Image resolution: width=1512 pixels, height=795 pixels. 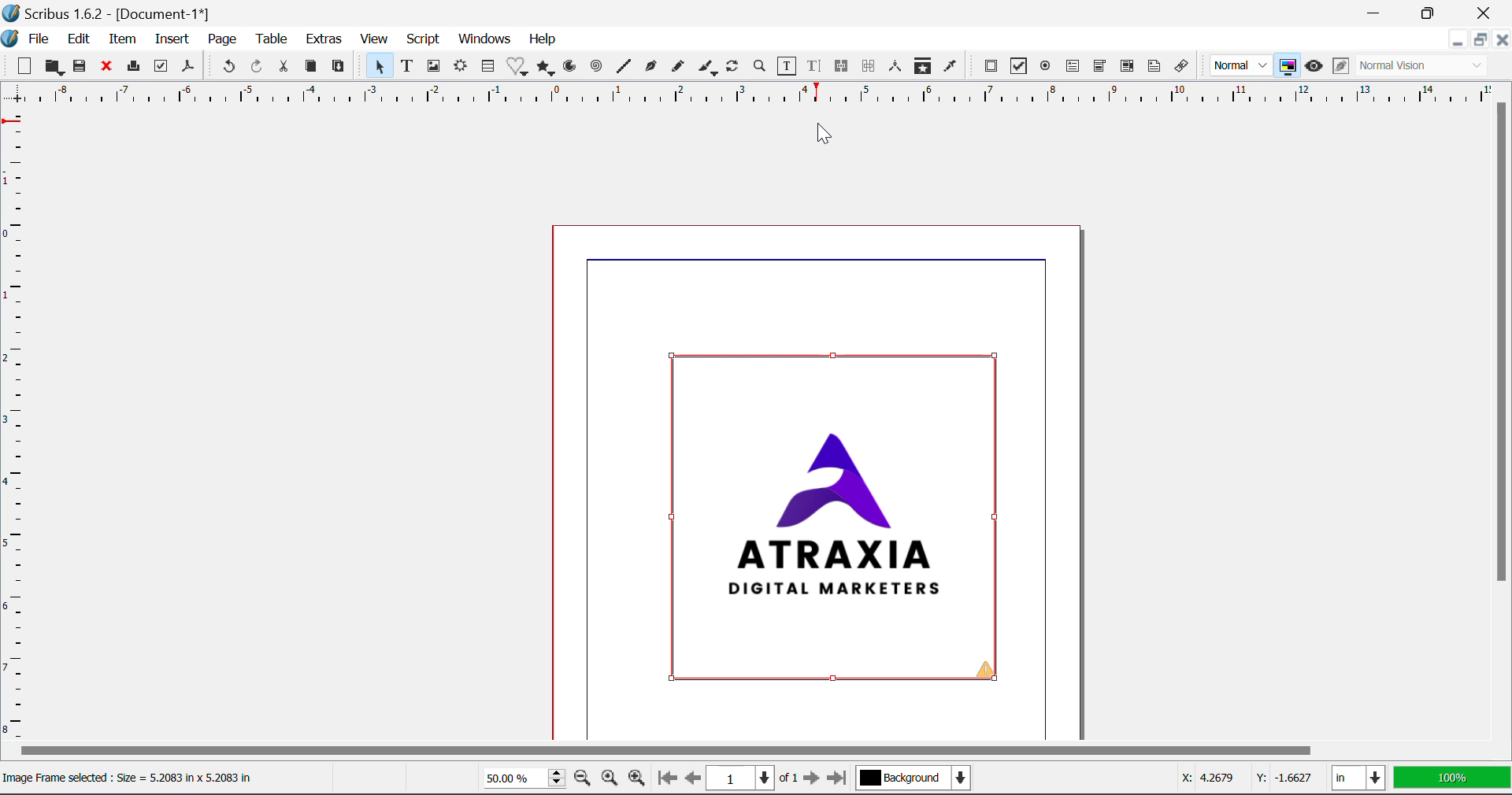 What do you see at coordinates (80, 39) in the screenshot?
I see `Edit` at bounding box center [80, 39].